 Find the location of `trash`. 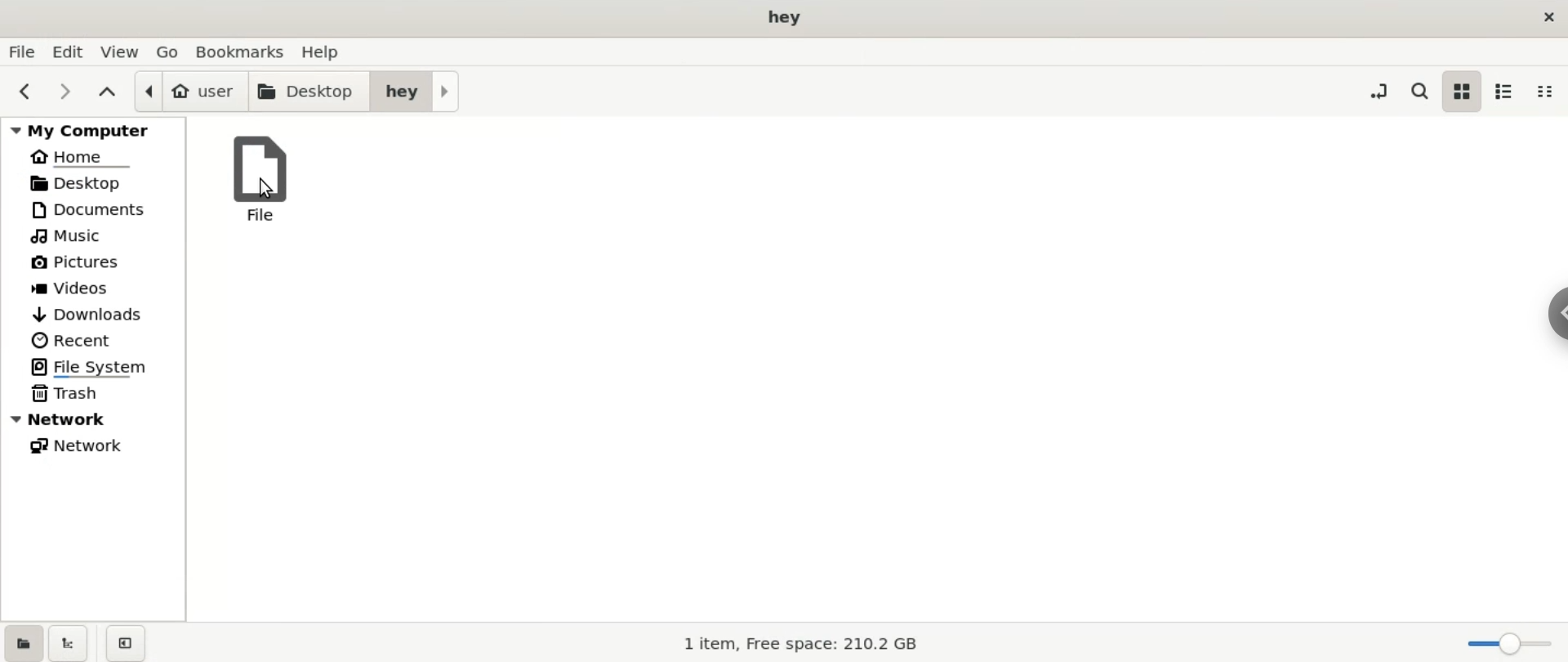

trash is located at coordinates (91, 395).